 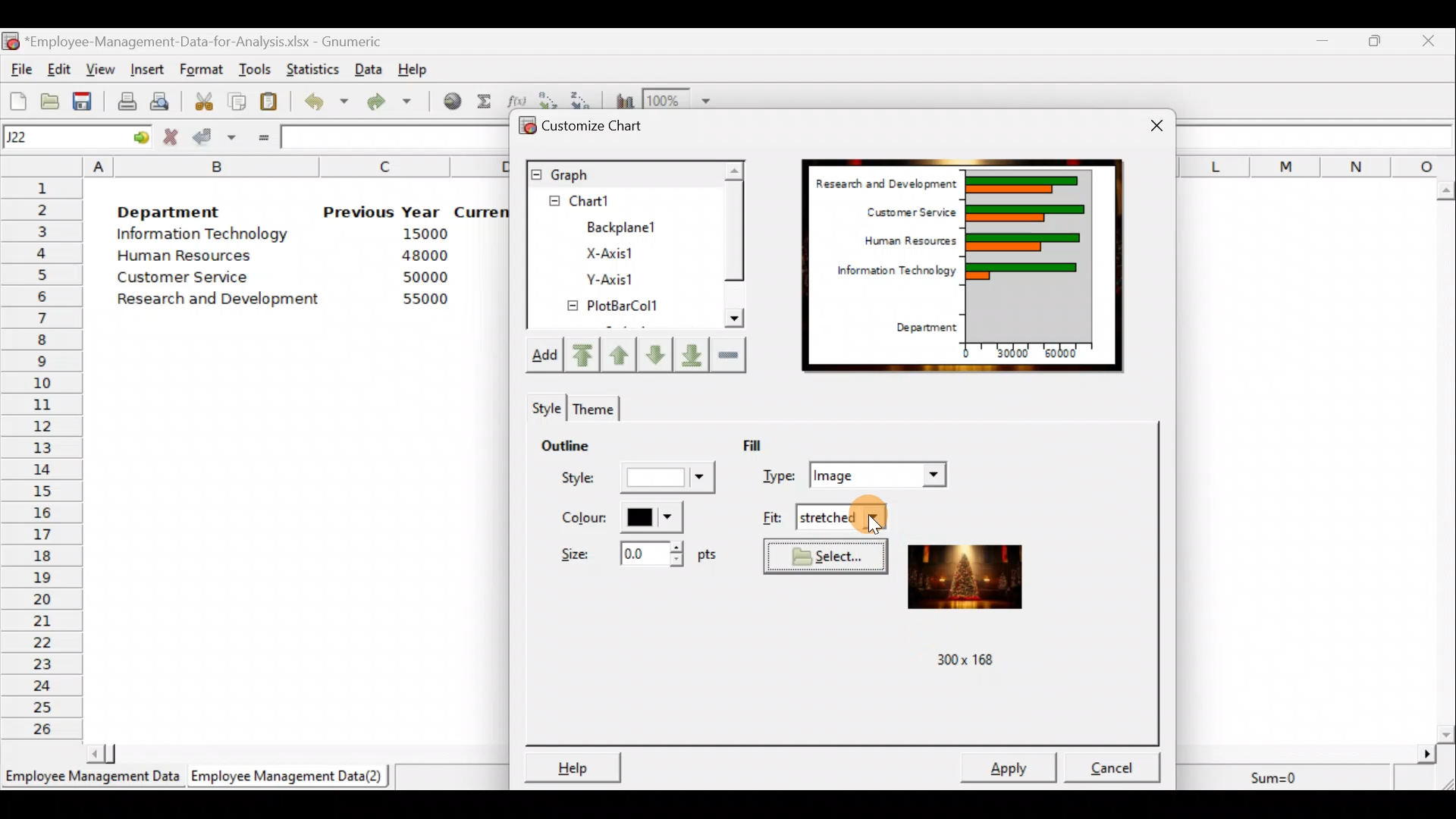 I want to click on Sort in descending order, so click(x=583, y=98).